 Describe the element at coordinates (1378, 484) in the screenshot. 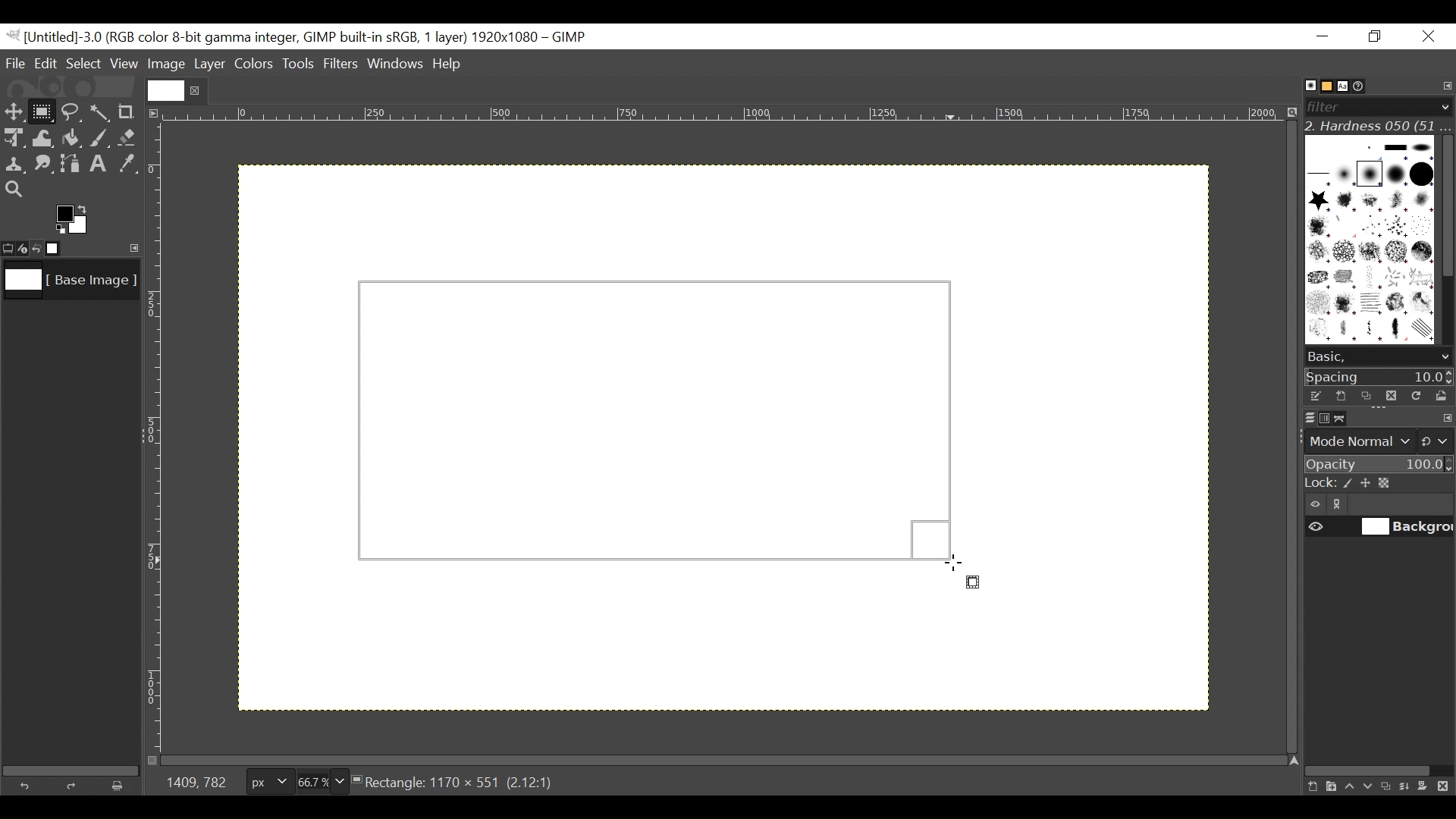

I see `Lock` at that location.